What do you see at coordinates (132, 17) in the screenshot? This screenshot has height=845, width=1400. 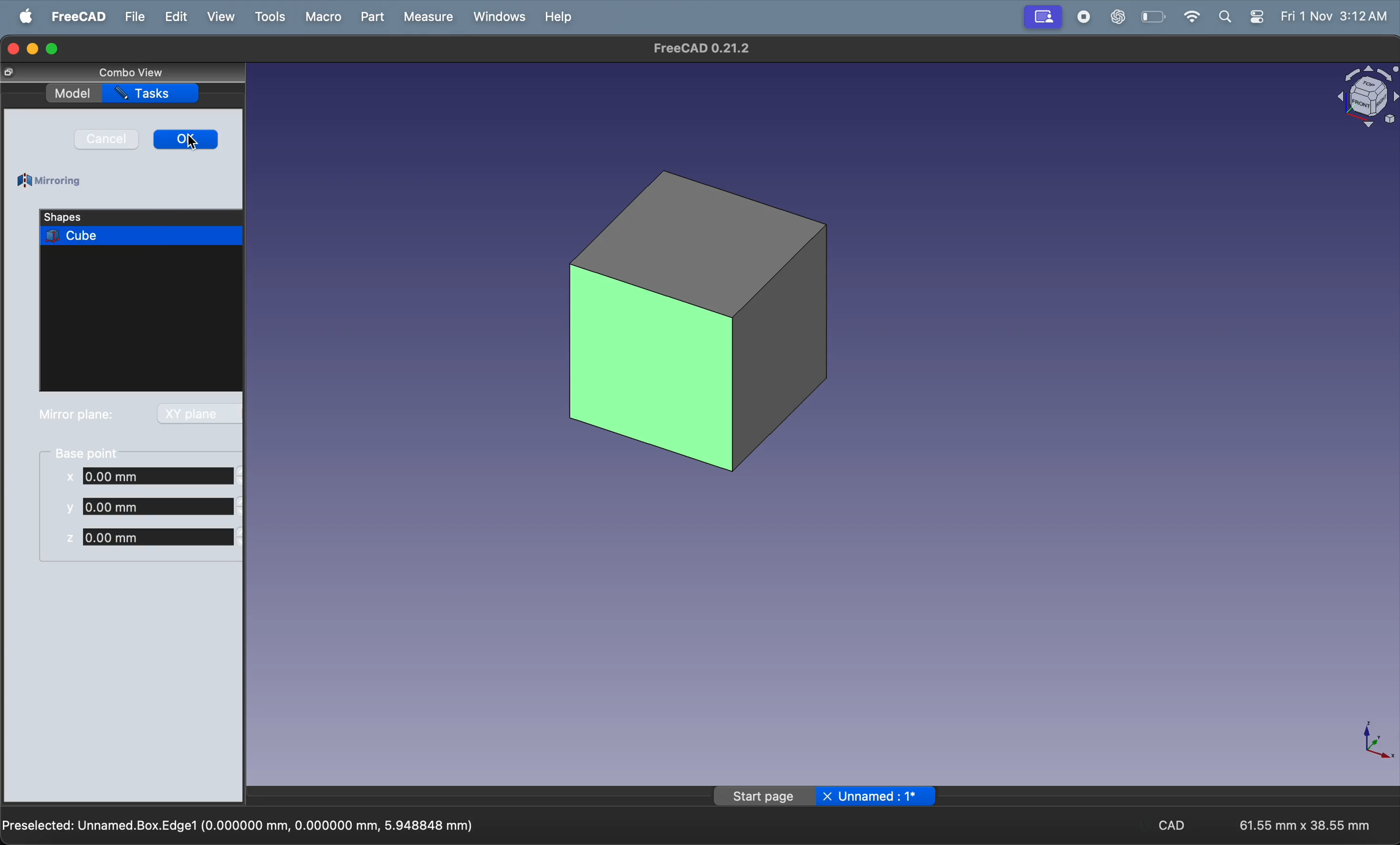 I see `file` at bounding box center [132, 17].